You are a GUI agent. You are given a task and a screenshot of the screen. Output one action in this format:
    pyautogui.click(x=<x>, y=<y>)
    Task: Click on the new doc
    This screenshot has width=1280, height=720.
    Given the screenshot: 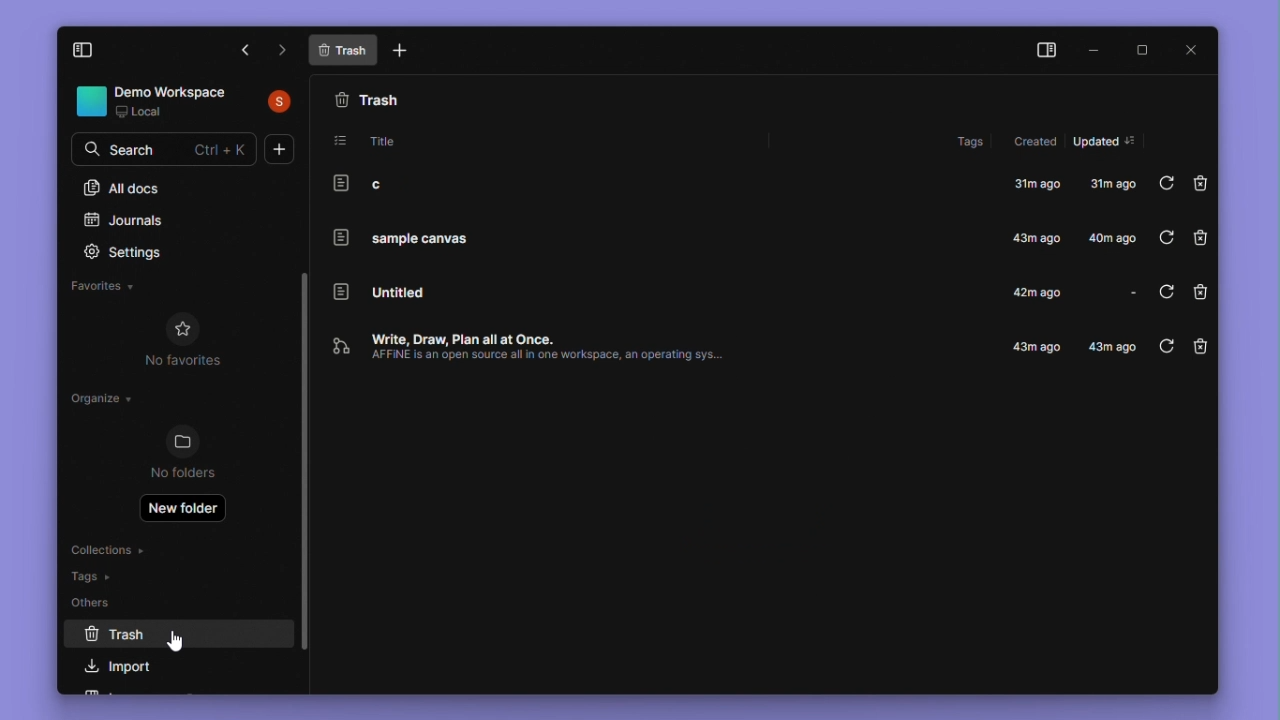 What is the action you would take?
    pyautogui.click(x=403, y=51)
    